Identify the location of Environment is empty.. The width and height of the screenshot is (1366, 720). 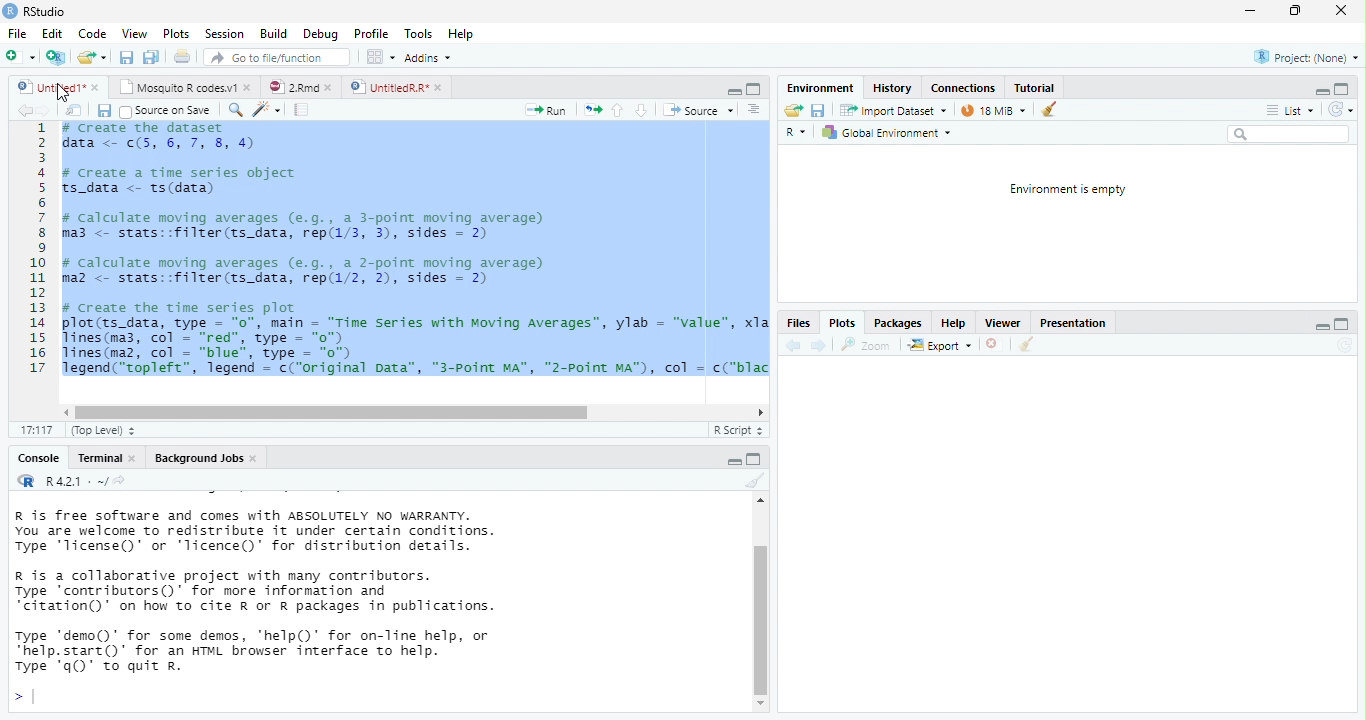
(1067, 190).